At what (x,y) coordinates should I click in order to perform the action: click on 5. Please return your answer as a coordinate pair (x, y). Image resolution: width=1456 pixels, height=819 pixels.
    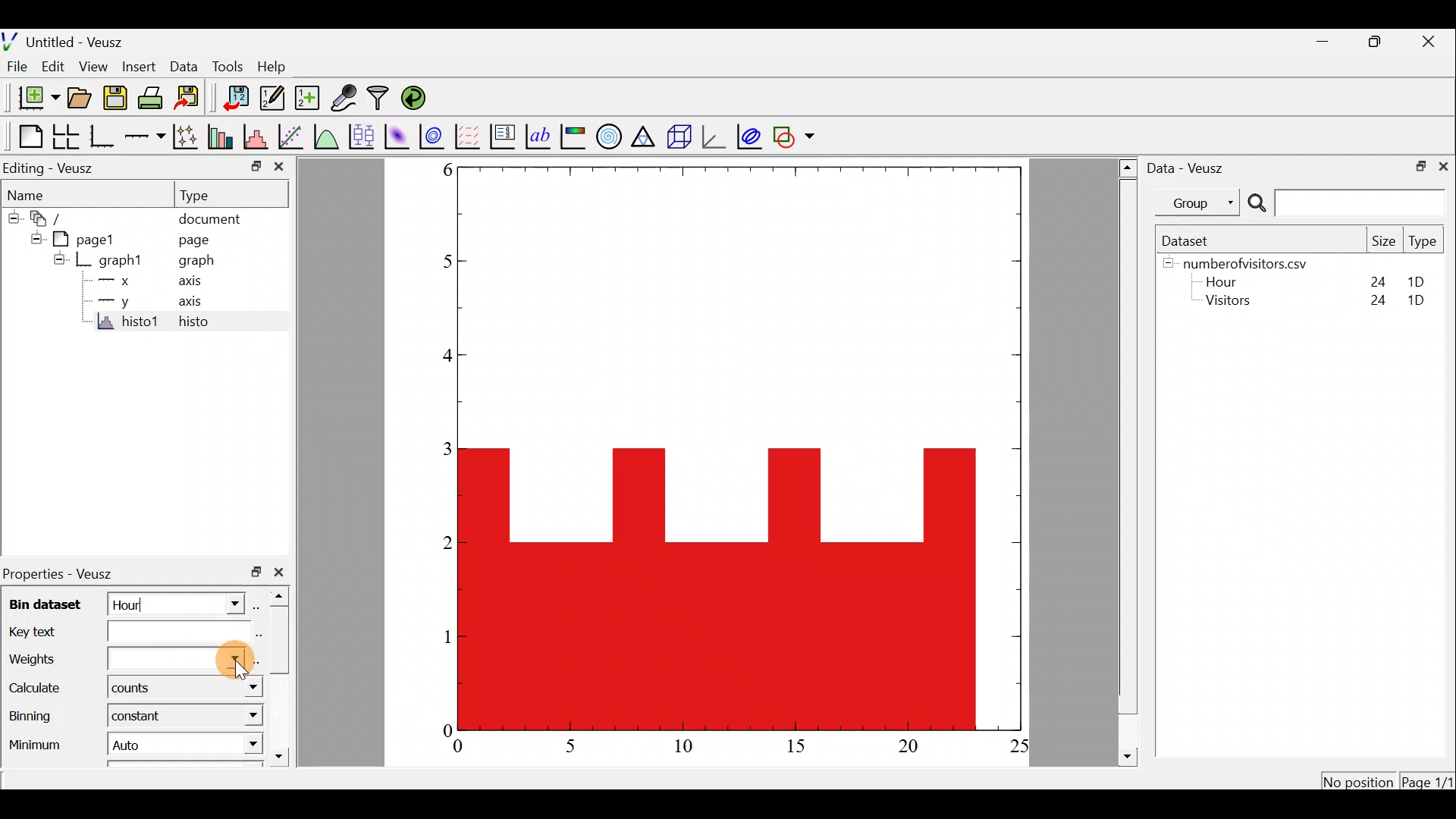
    Looking at the image, I should click on (573, 745).